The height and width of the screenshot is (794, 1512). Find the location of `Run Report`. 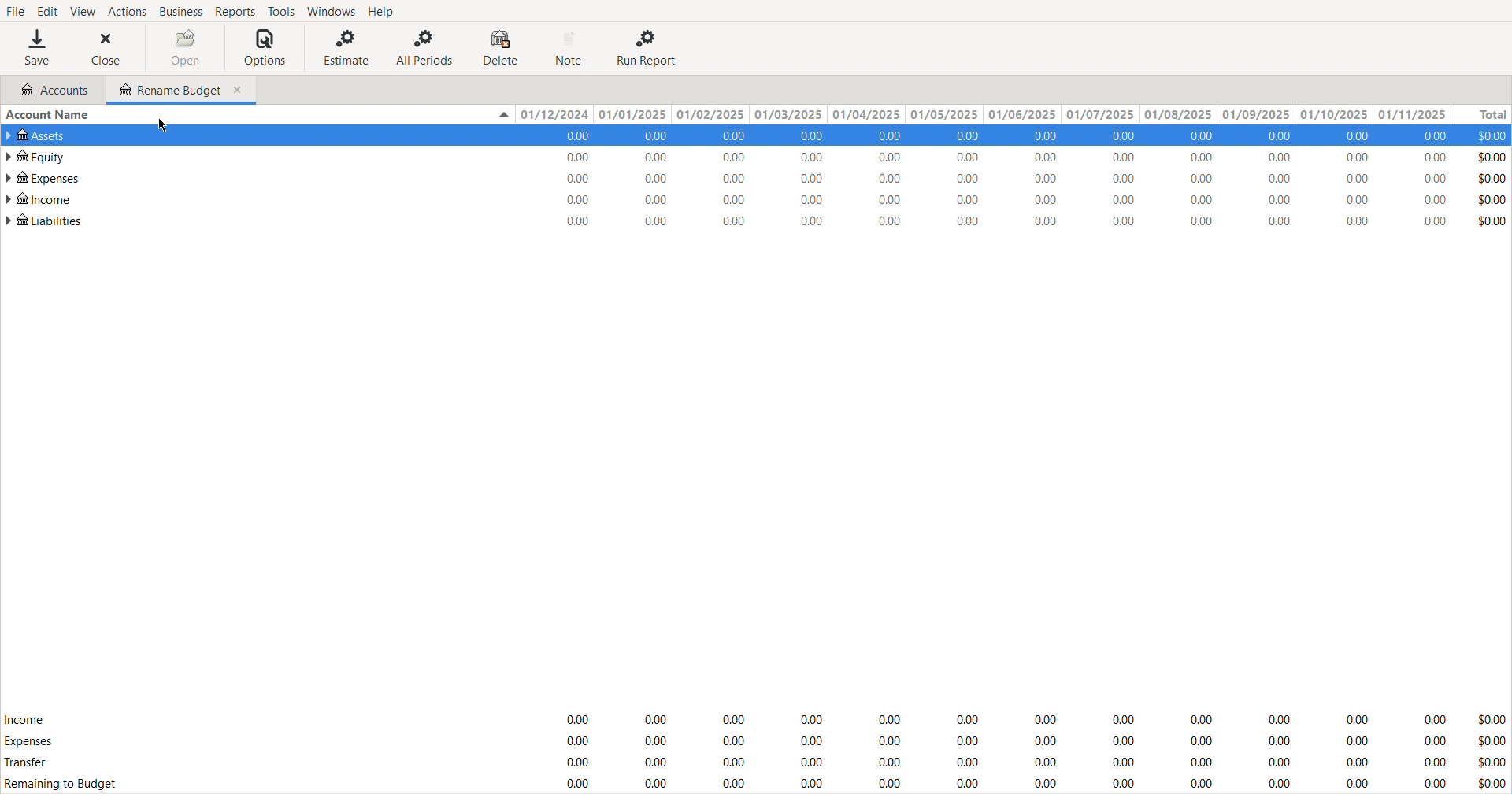

Run Report is located at coordinates (647, 47).